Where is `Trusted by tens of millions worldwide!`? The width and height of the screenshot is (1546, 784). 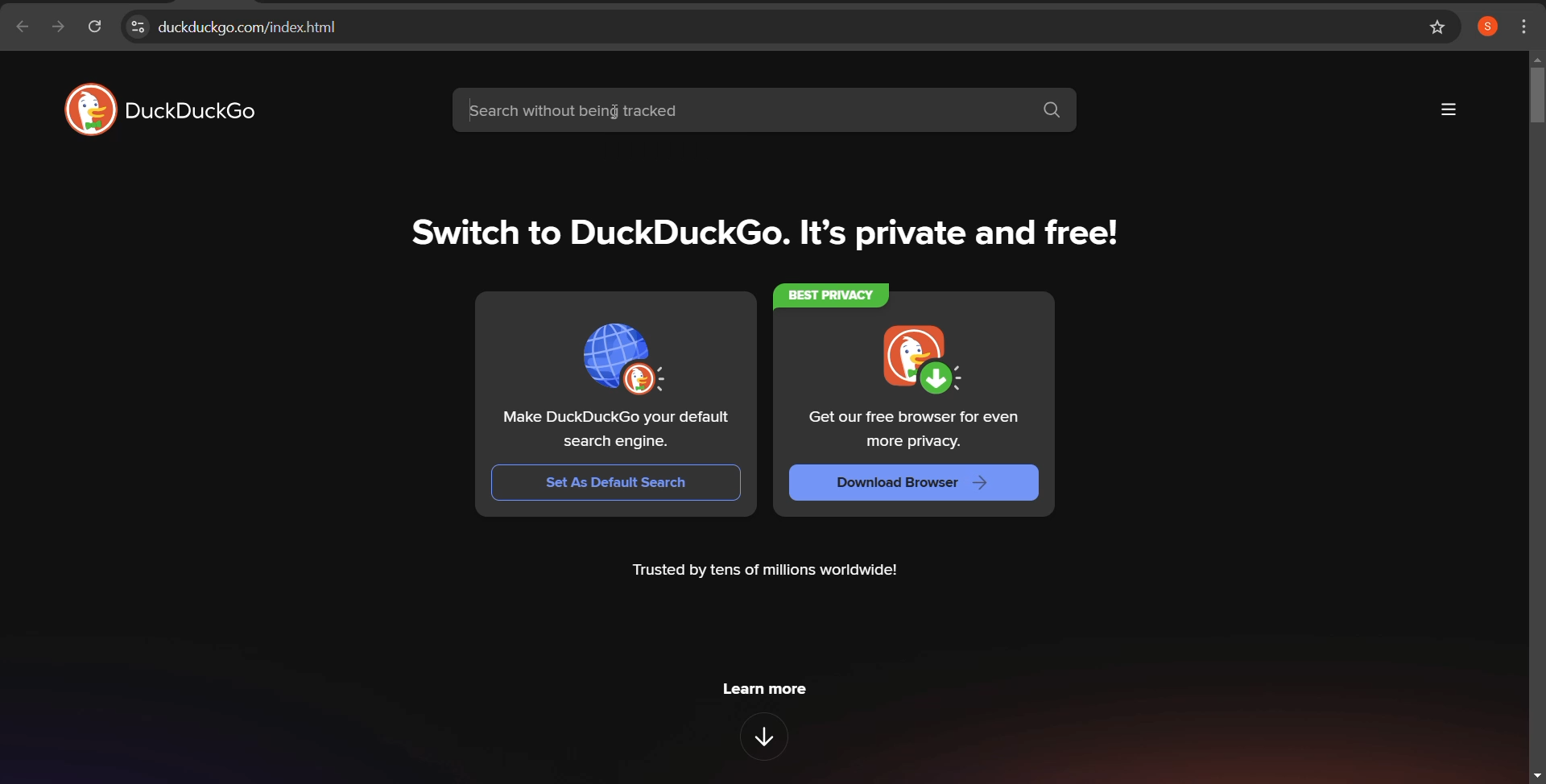
Trusted by tens of millions worldwide! is located at coordinates (771, 567).